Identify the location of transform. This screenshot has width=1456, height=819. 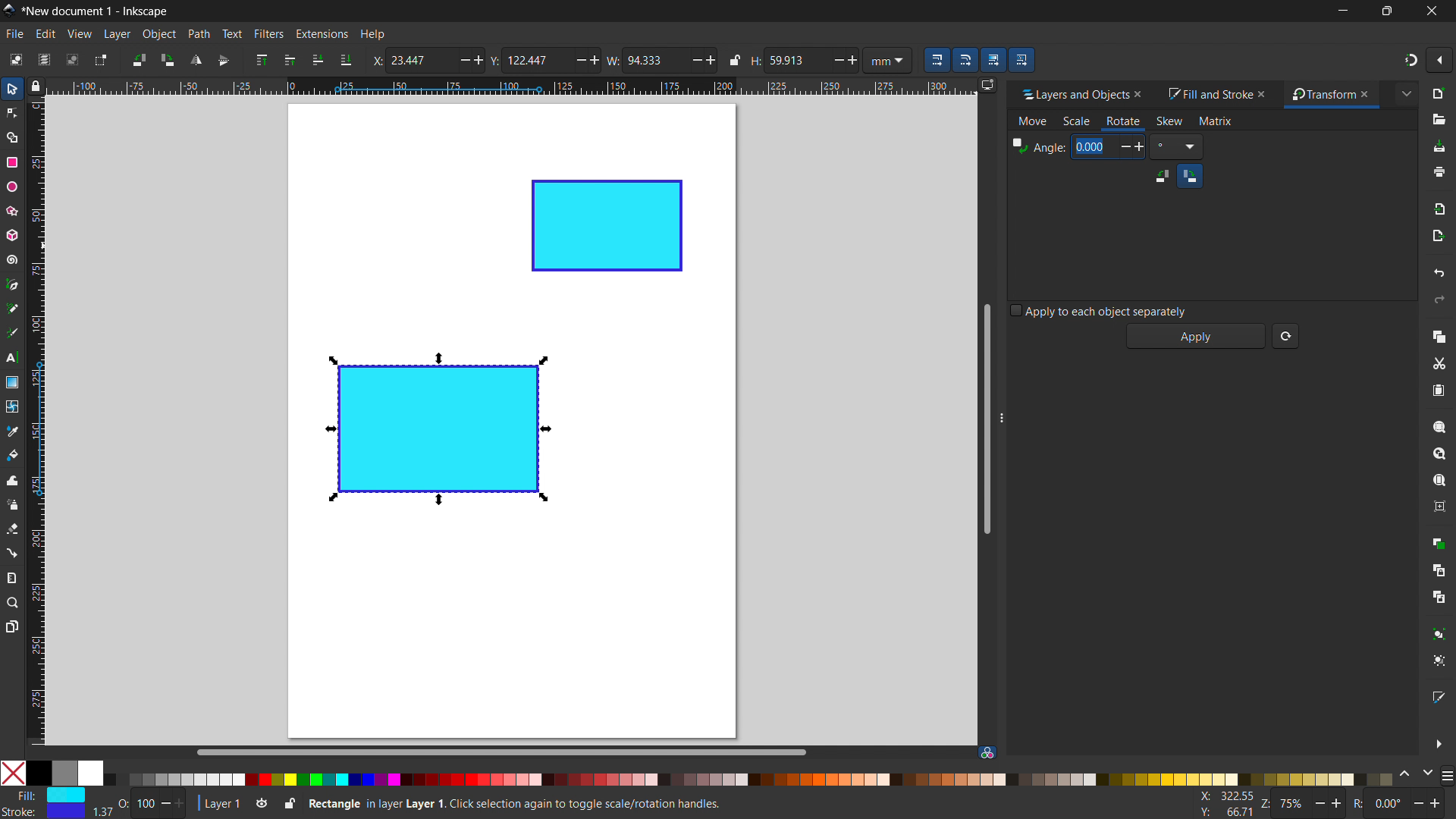
(1319, 95).